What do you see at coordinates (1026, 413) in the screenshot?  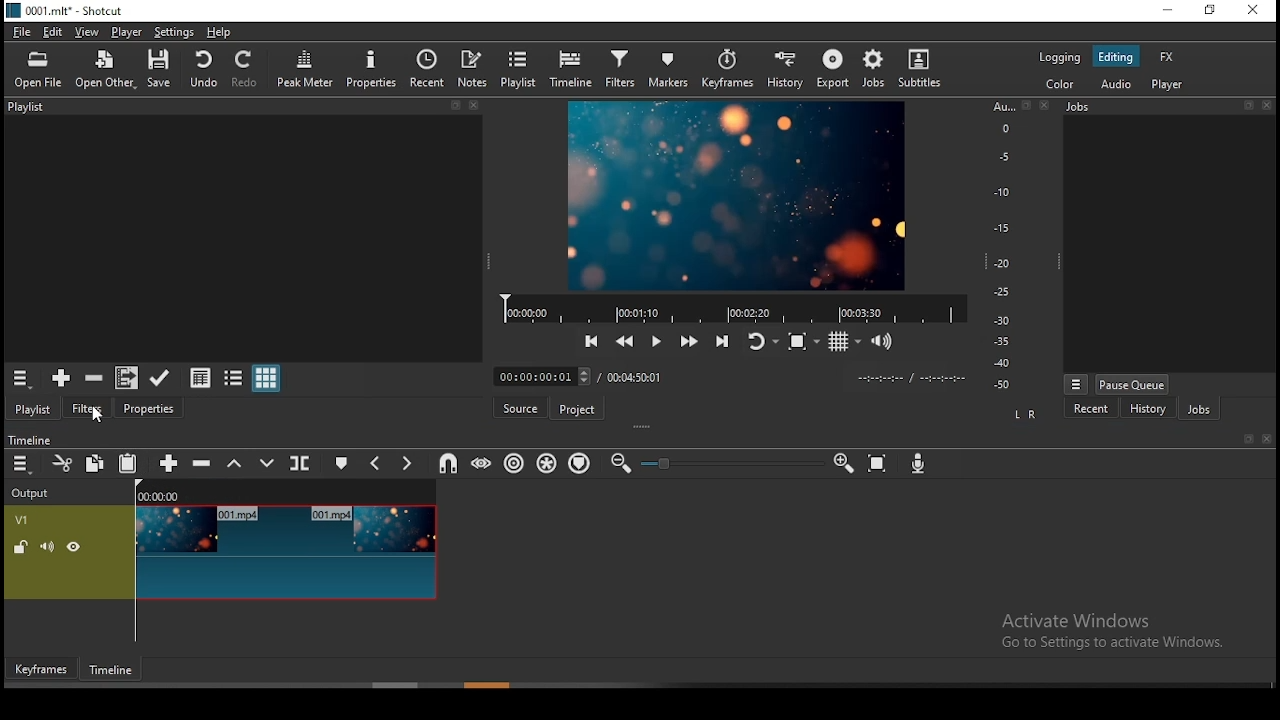 I see `L R` at bounding box center [1026, 413].